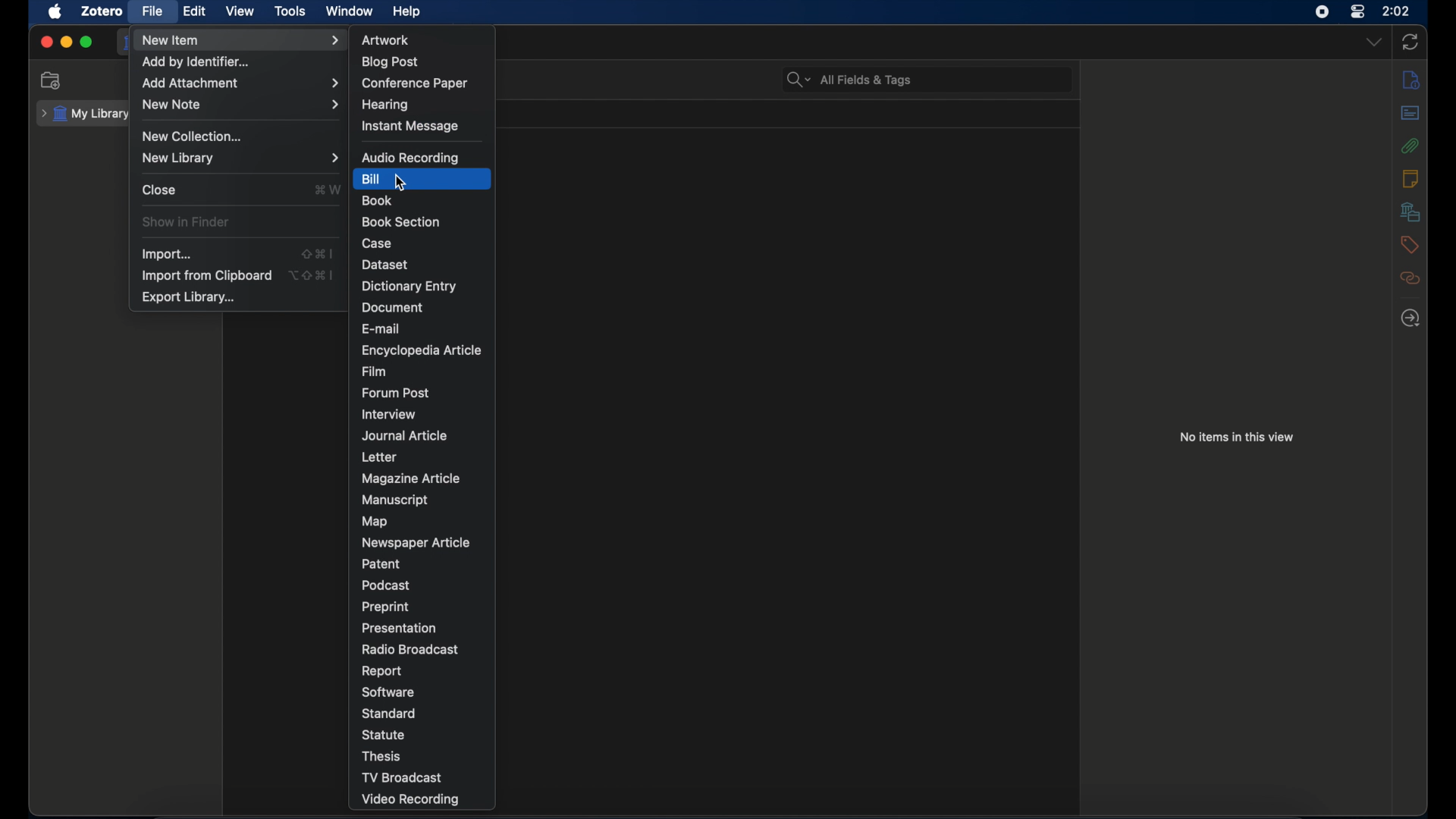  What do you see at coordinates (375, 522) in the screenshot?
I see `map` at bounding box center [375, 522].